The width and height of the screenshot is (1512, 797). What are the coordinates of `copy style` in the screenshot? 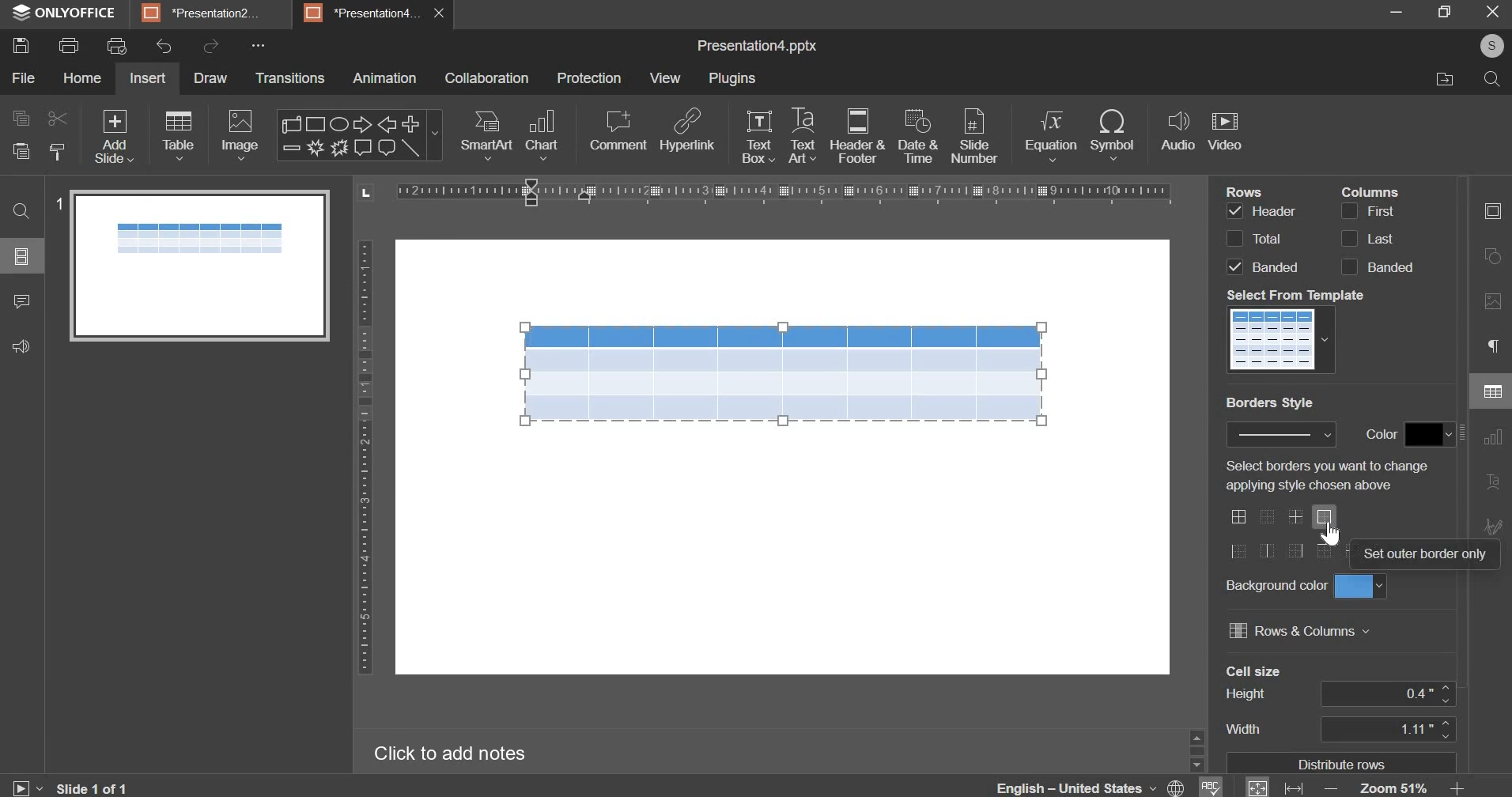 It's located at (62, 150).